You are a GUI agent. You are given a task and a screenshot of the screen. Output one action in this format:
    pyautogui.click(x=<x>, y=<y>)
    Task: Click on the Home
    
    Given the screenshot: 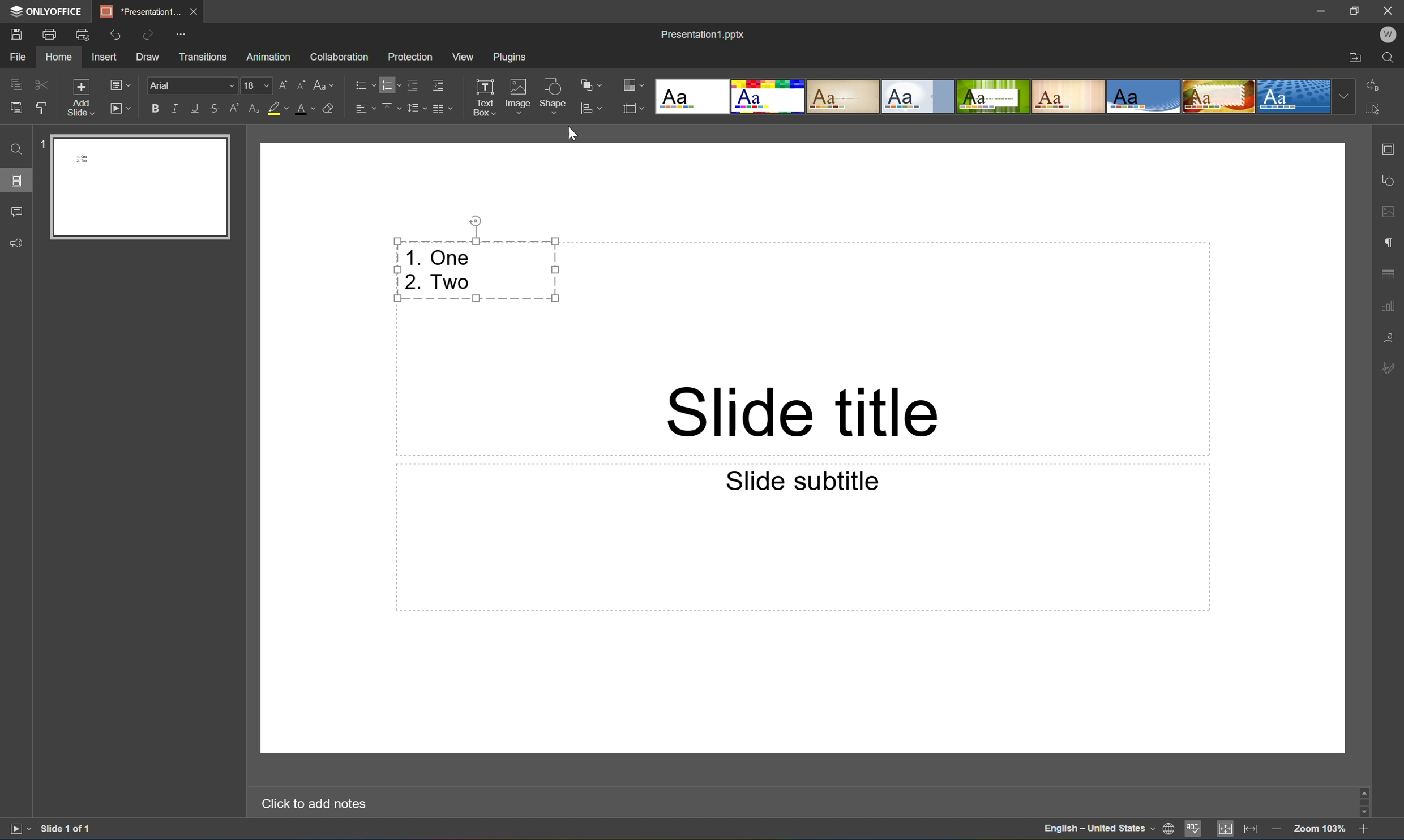 What is the action you would take?
    pyautogui.click(x=61, y=57)
    